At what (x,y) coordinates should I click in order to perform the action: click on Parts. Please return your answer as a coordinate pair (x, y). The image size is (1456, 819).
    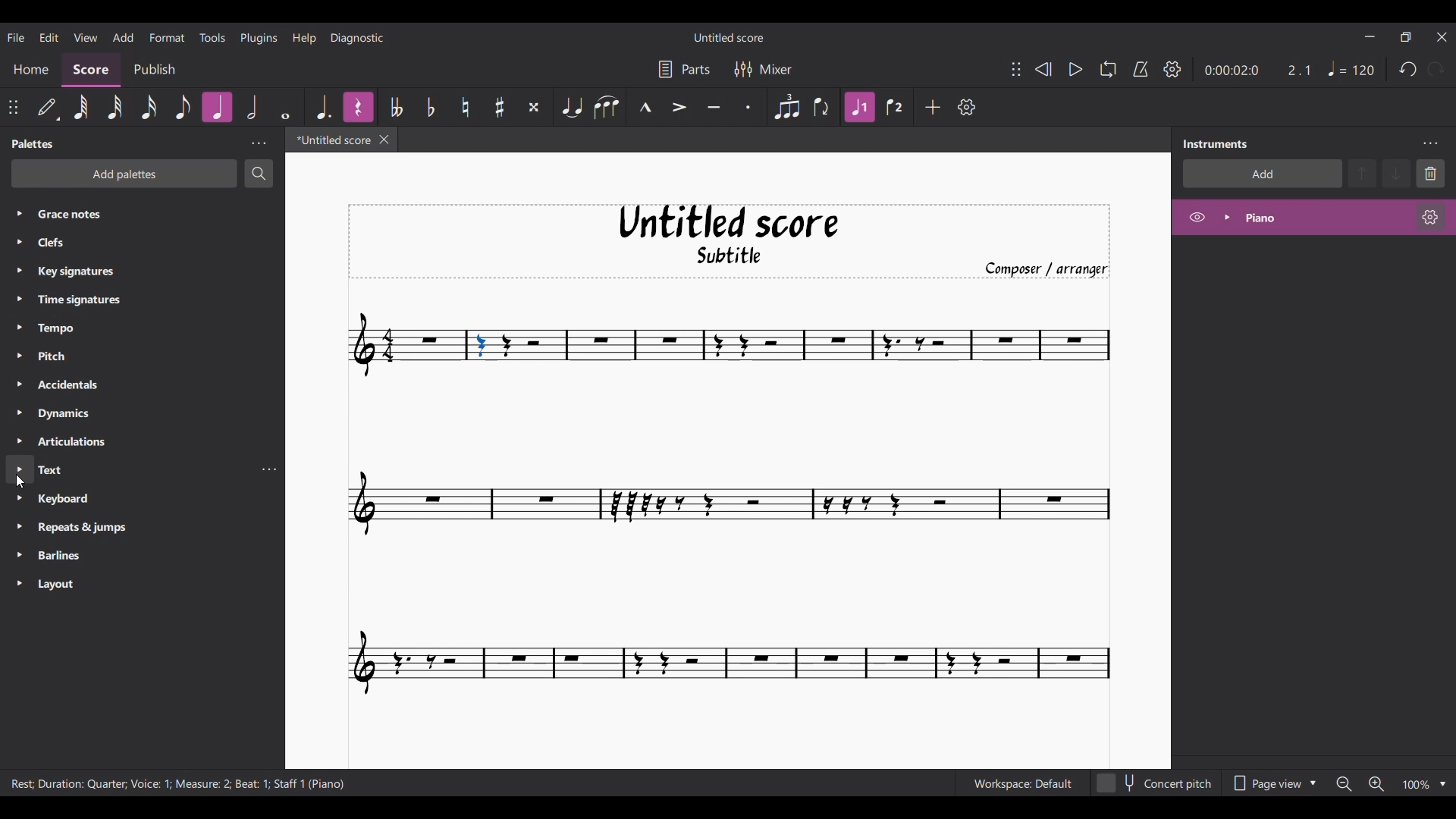
    Looking at the image, I should click on (683, 69).